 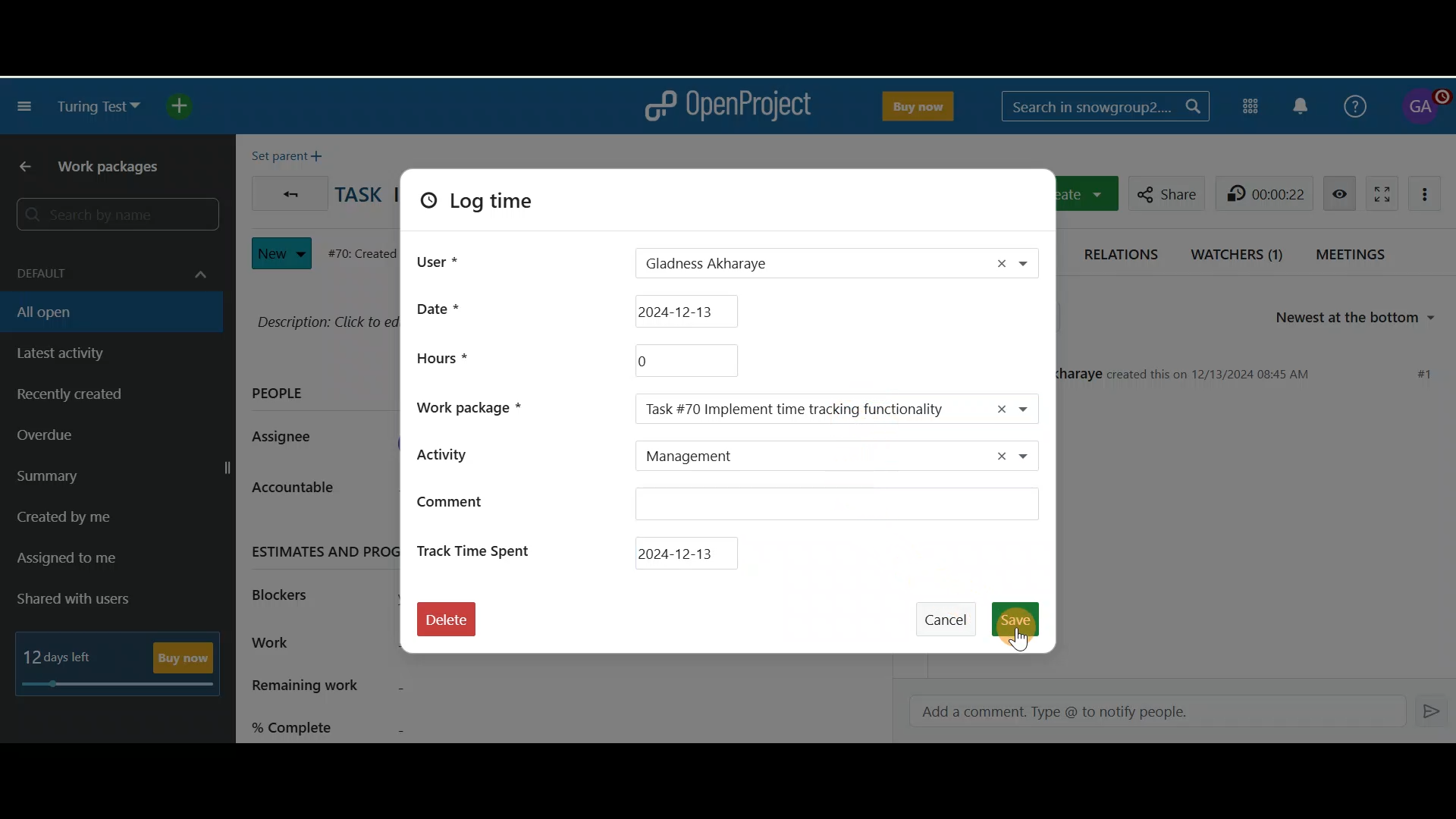 I want to click on Work packages, so click(x=115, y=170).